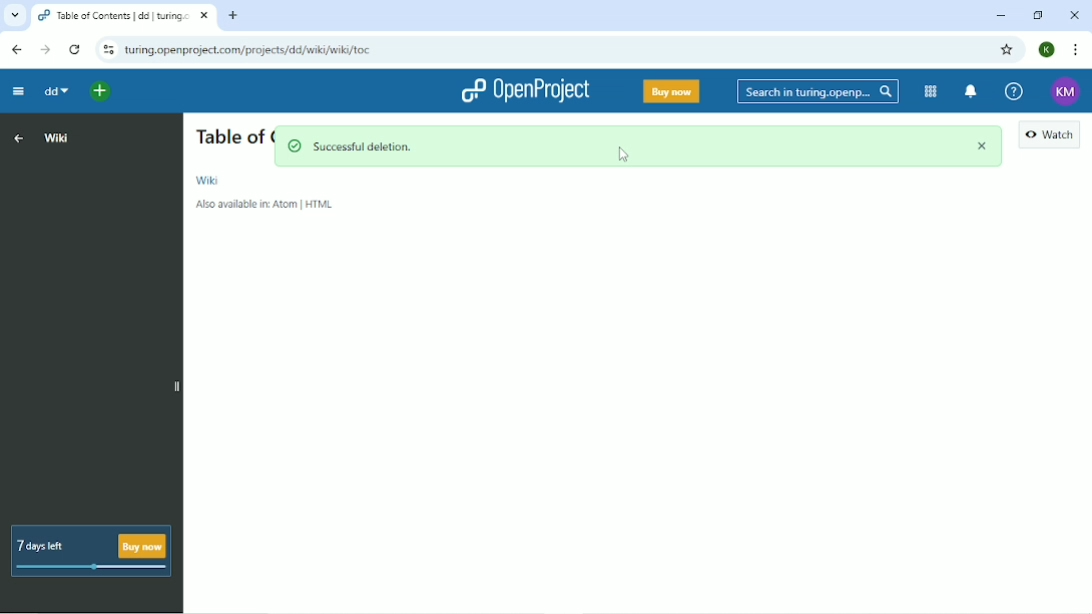 The width and height of the screenshot is (1092, 614). Describe the element at coordinates (55, 93) in the screenshot. I see `dd` at that location.